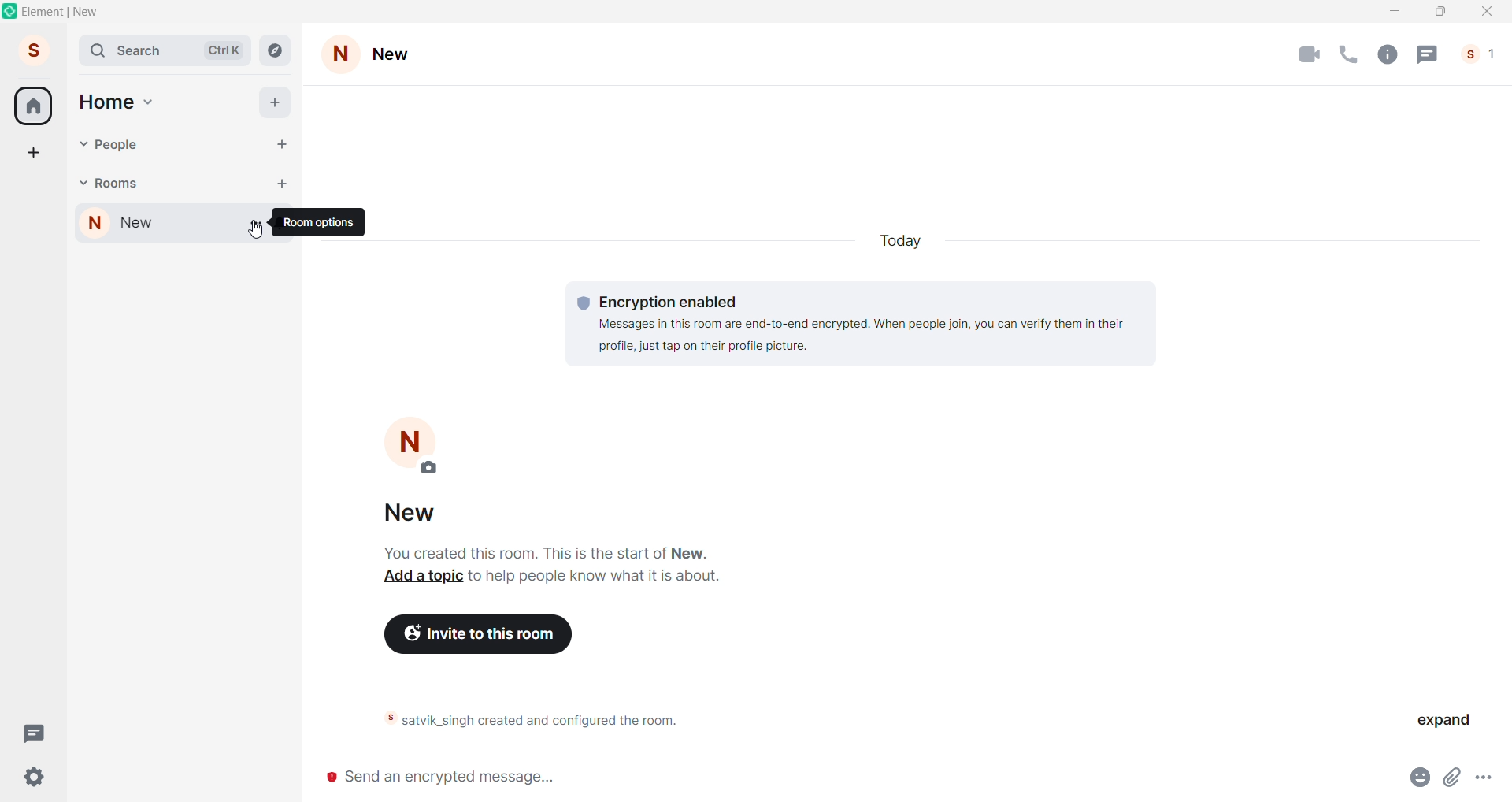 The image size is (1512, 802). Describe the element at coordinates (412, 446) in the screenshot. I see `Add Room Picture` at that location.